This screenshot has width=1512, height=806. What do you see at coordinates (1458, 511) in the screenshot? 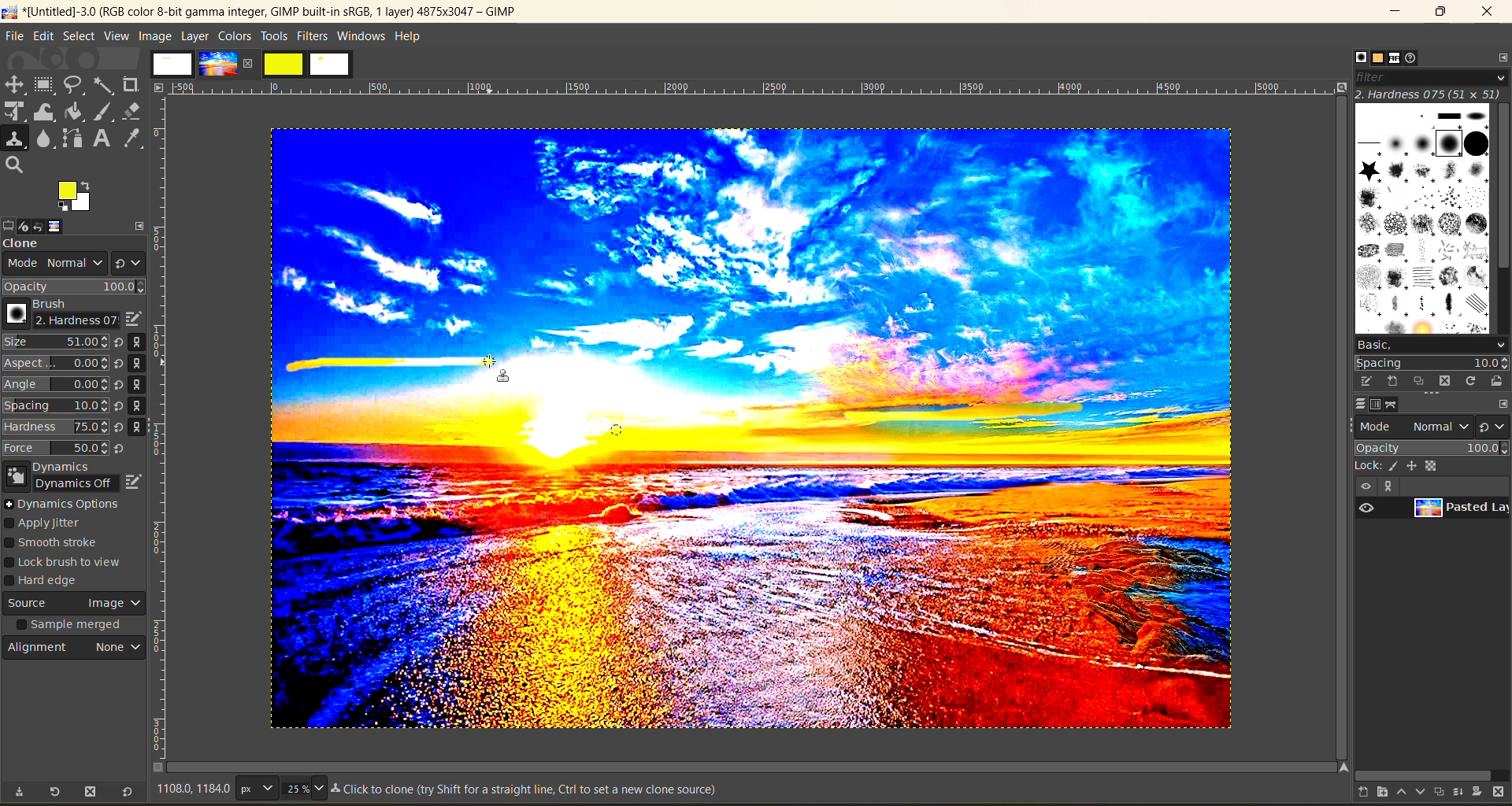
I see `layer` at bounding box center [1458, 511].